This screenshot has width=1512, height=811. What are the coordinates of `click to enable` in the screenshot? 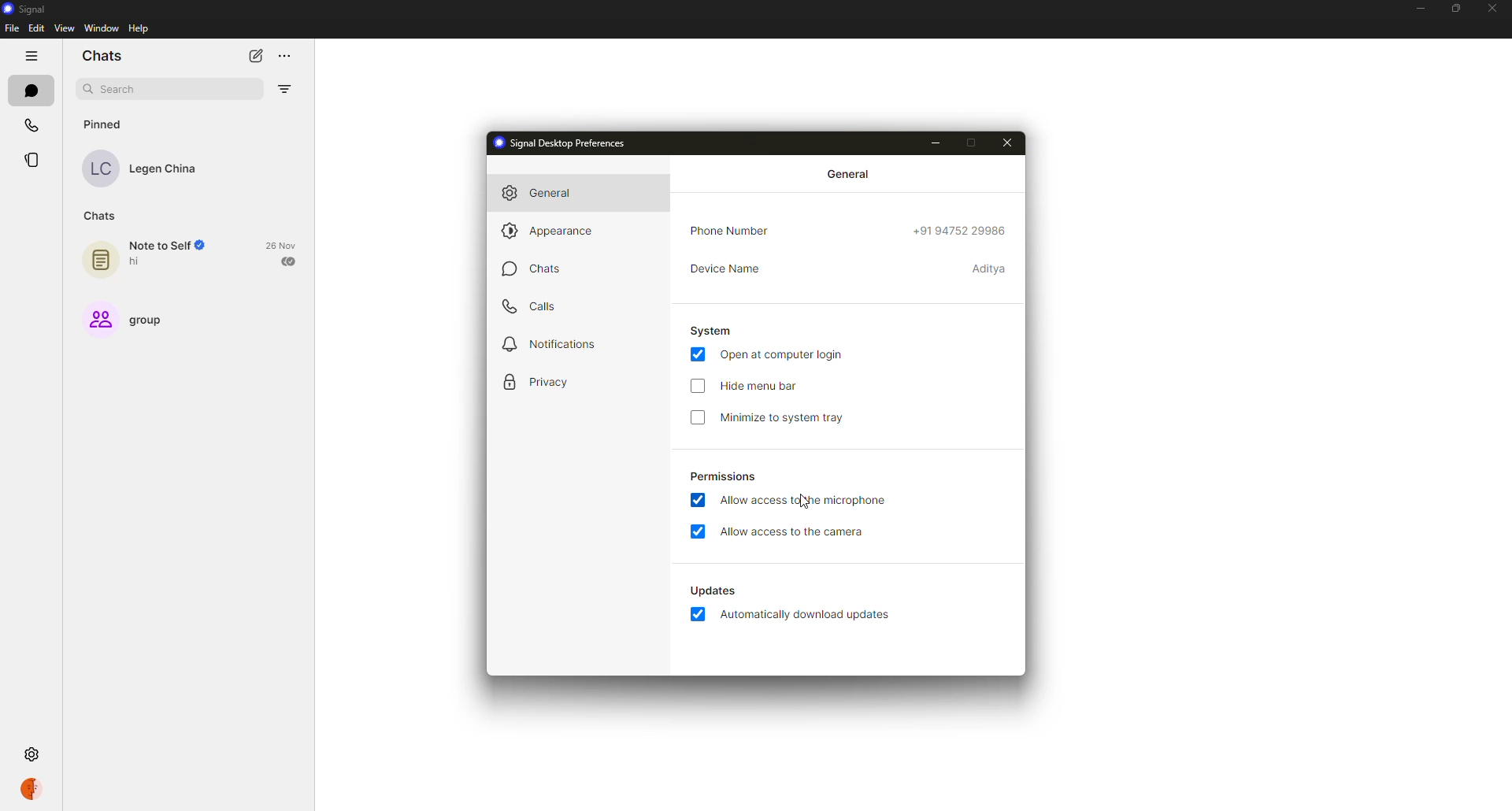 It's located at (697, 385).